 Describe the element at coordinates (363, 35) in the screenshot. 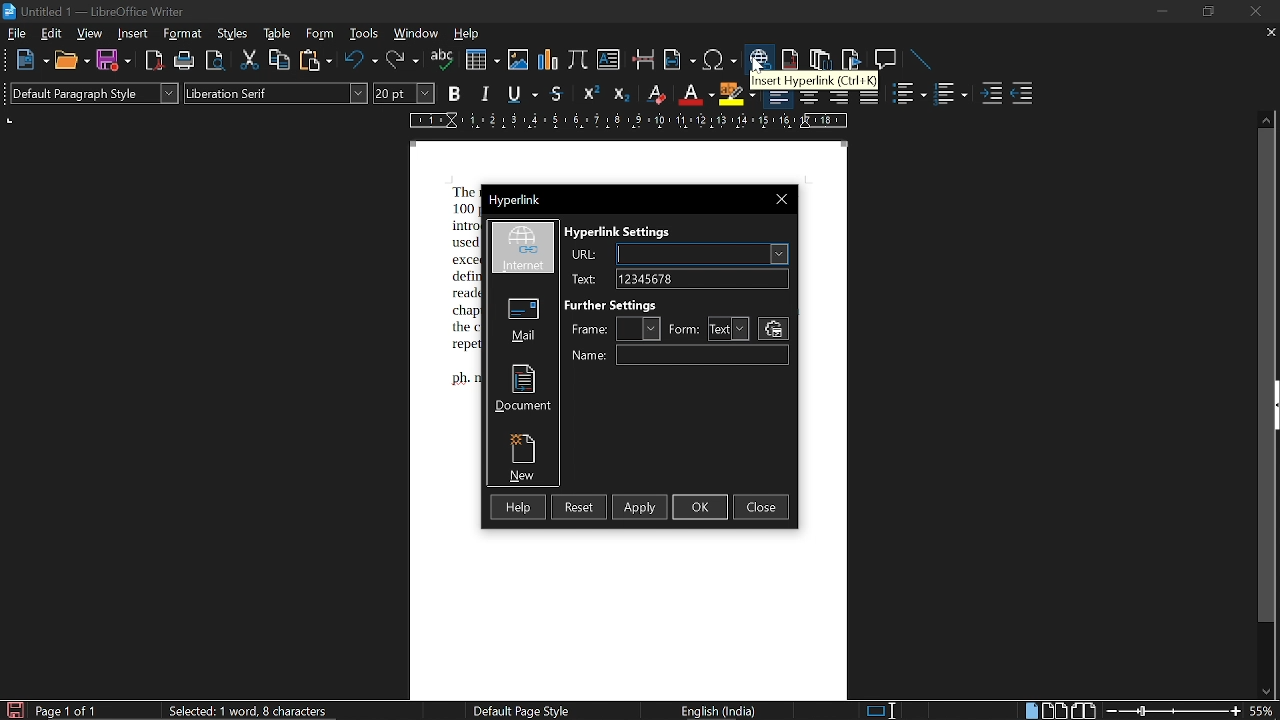

I see `tools` at that location.